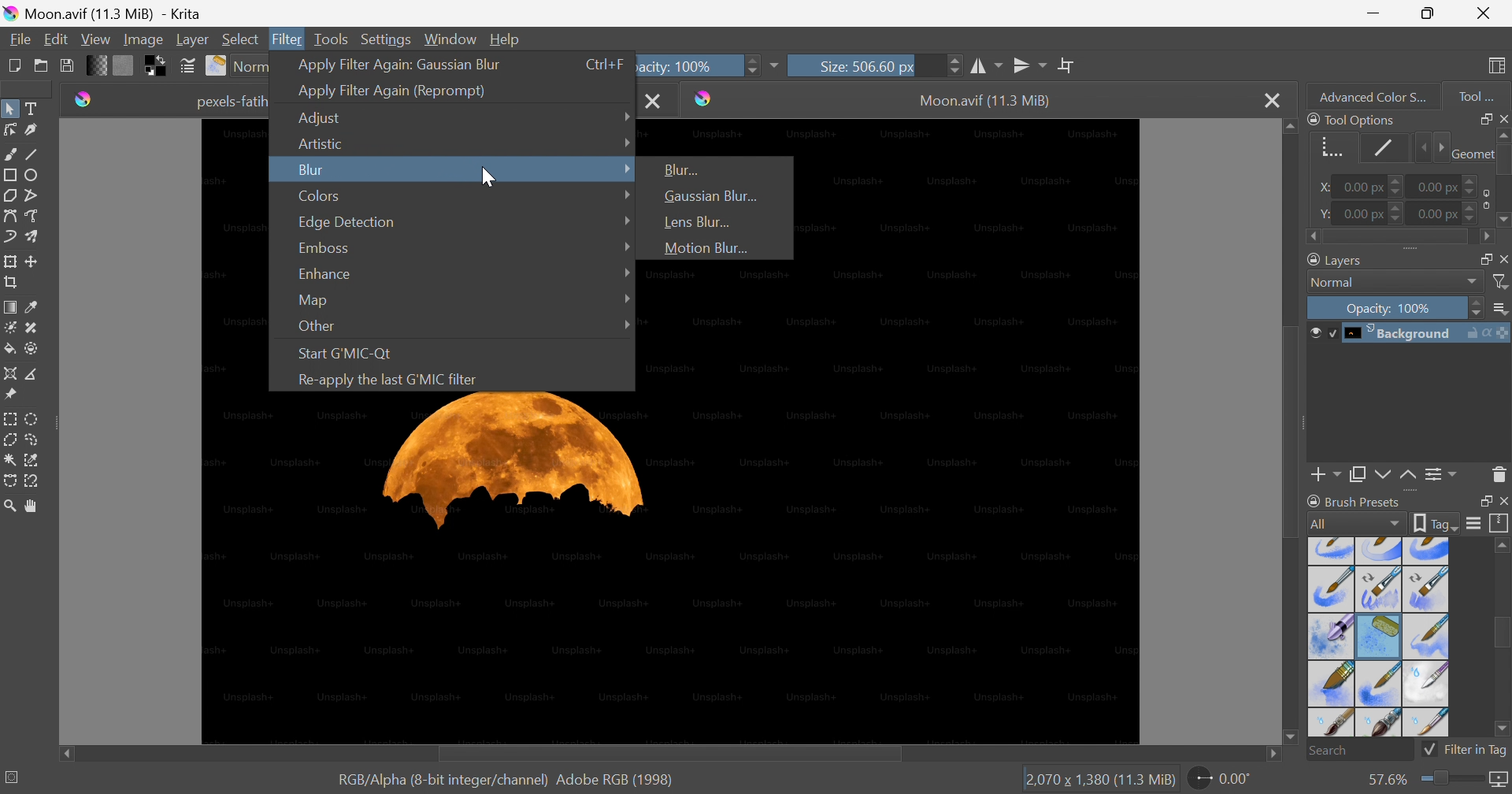  Describe the element at coordinates (1502, 781) in the screenshot. I see `Map the displayed canvas size between pixel size and print size. Current mapping: Pixel Size` at that location.